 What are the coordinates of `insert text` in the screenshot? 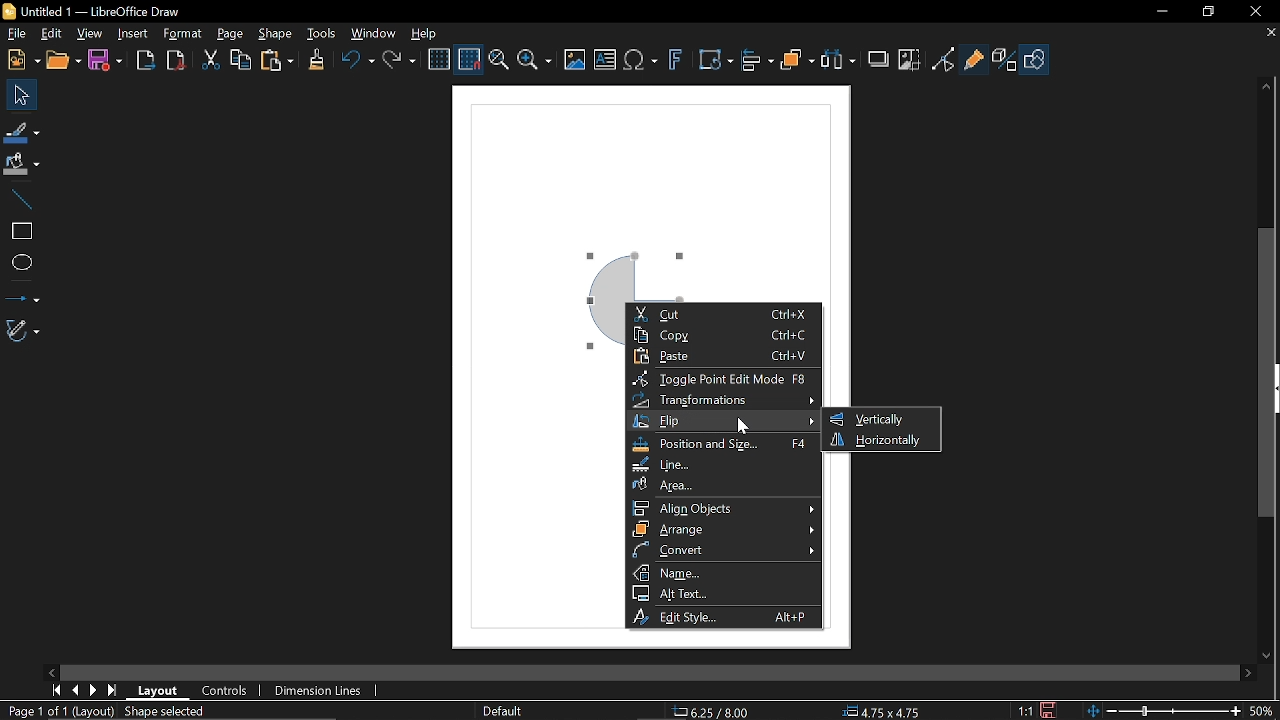 It's located at (606, 59).